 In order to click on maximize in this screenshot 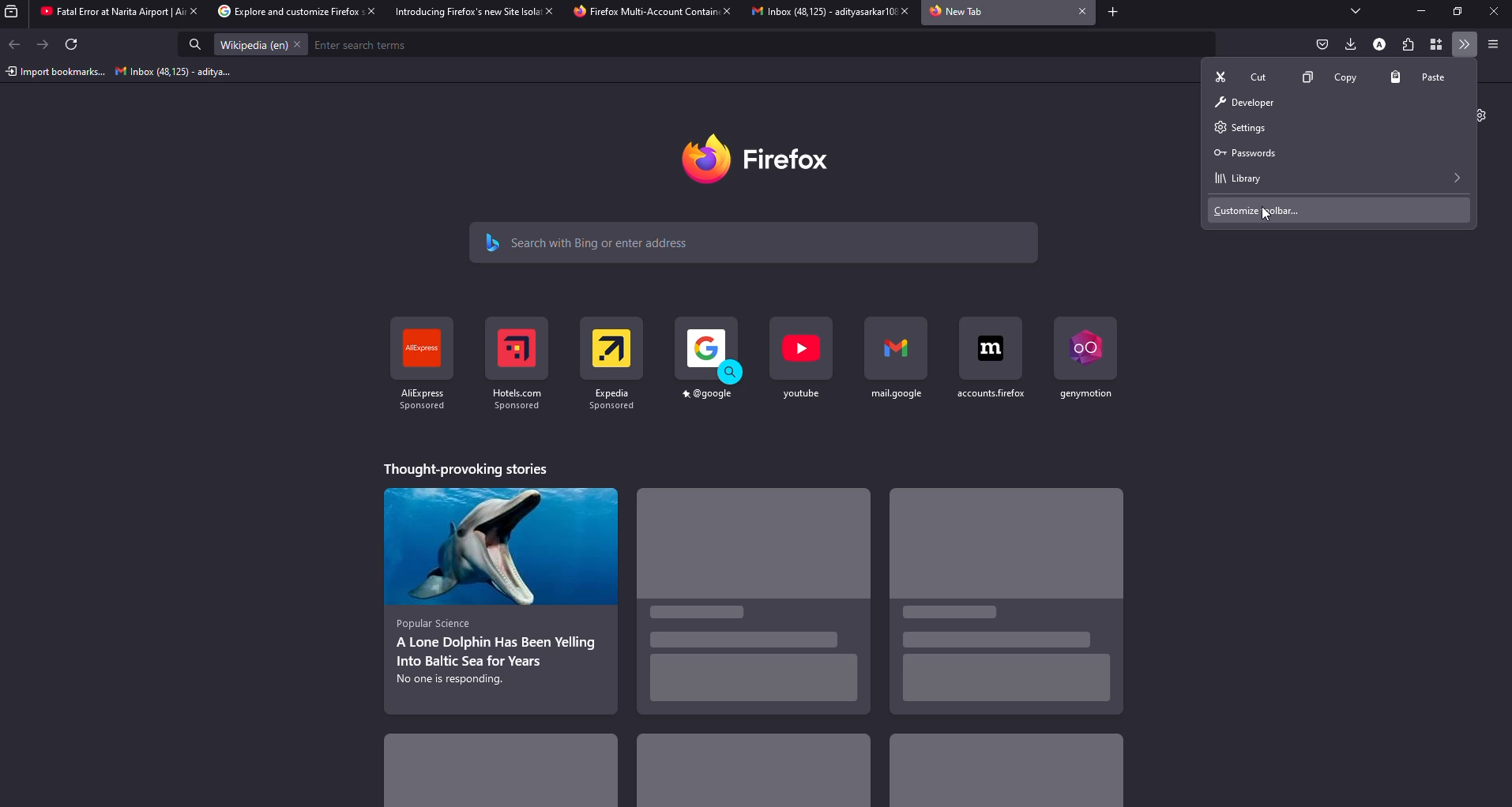, I will do `click(1458, 12)`.